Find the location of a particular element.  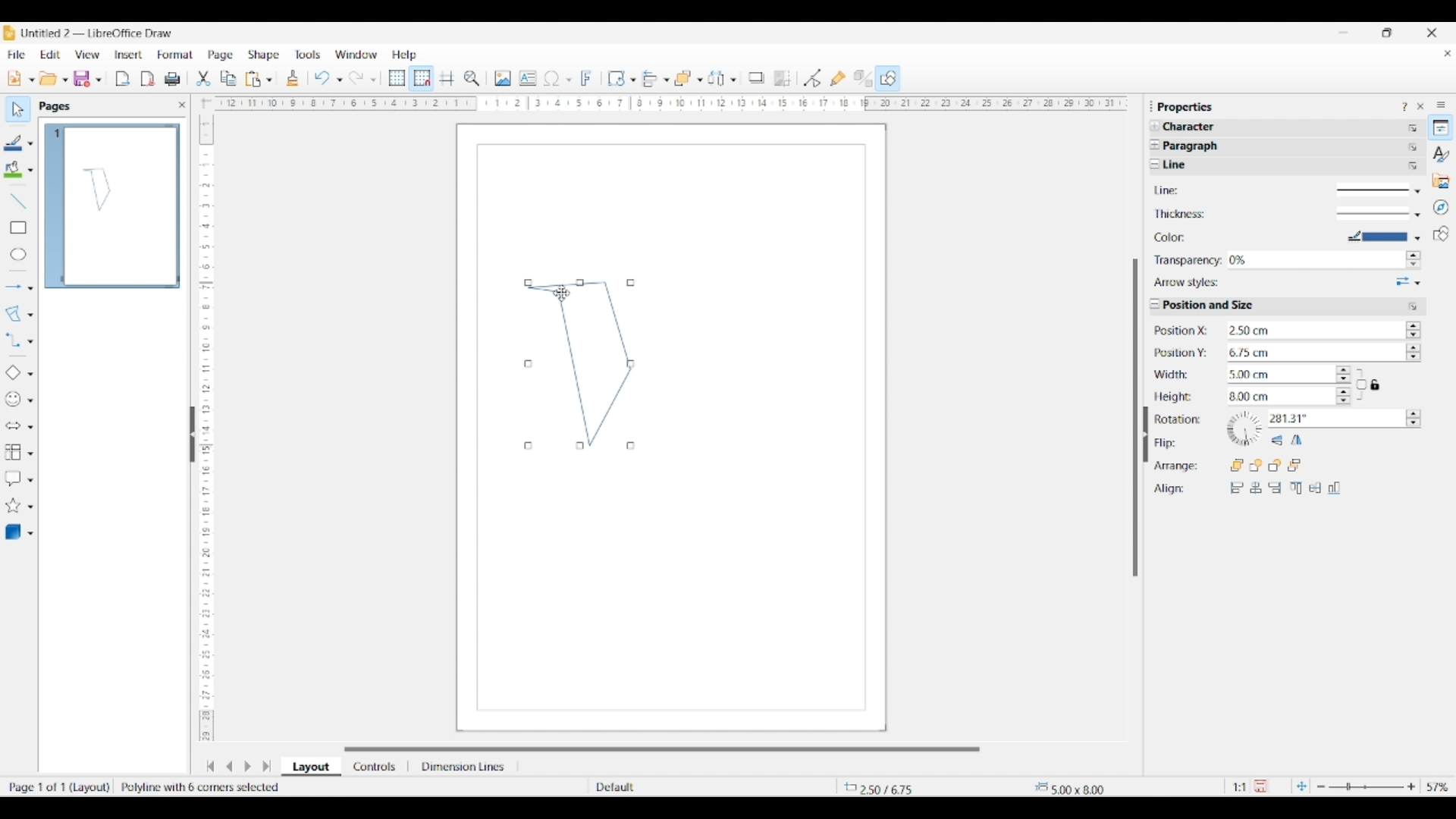

Select is located at coordinates (18, 109).